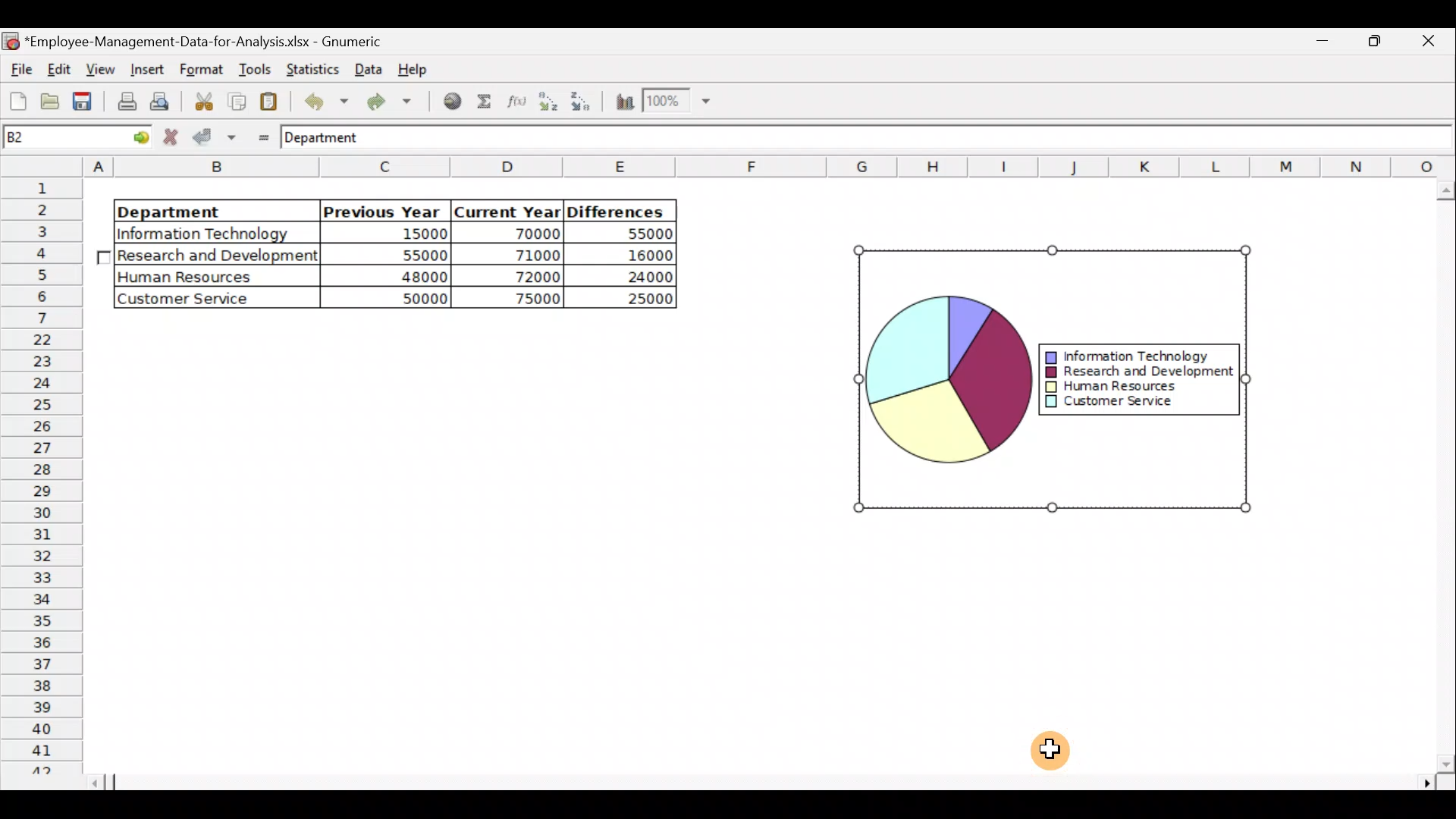  What do you see at coordinates (203, 99) in the screenshot?
I see `Cut the selection` at bounding box center [203, 99].